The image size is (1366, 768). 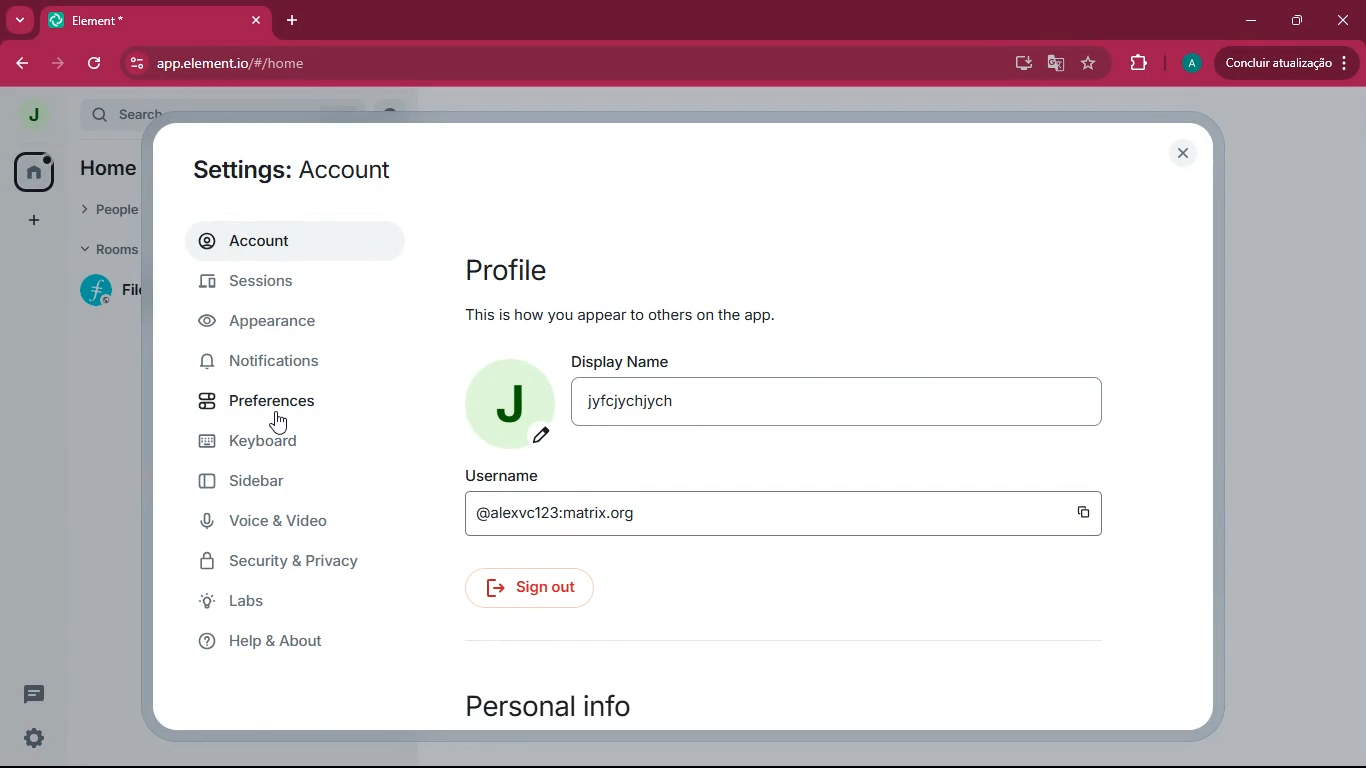 What do you see at coordinates (836, 404) in the screenshot?
I see `Textbox` at bounding box center [836, 404].